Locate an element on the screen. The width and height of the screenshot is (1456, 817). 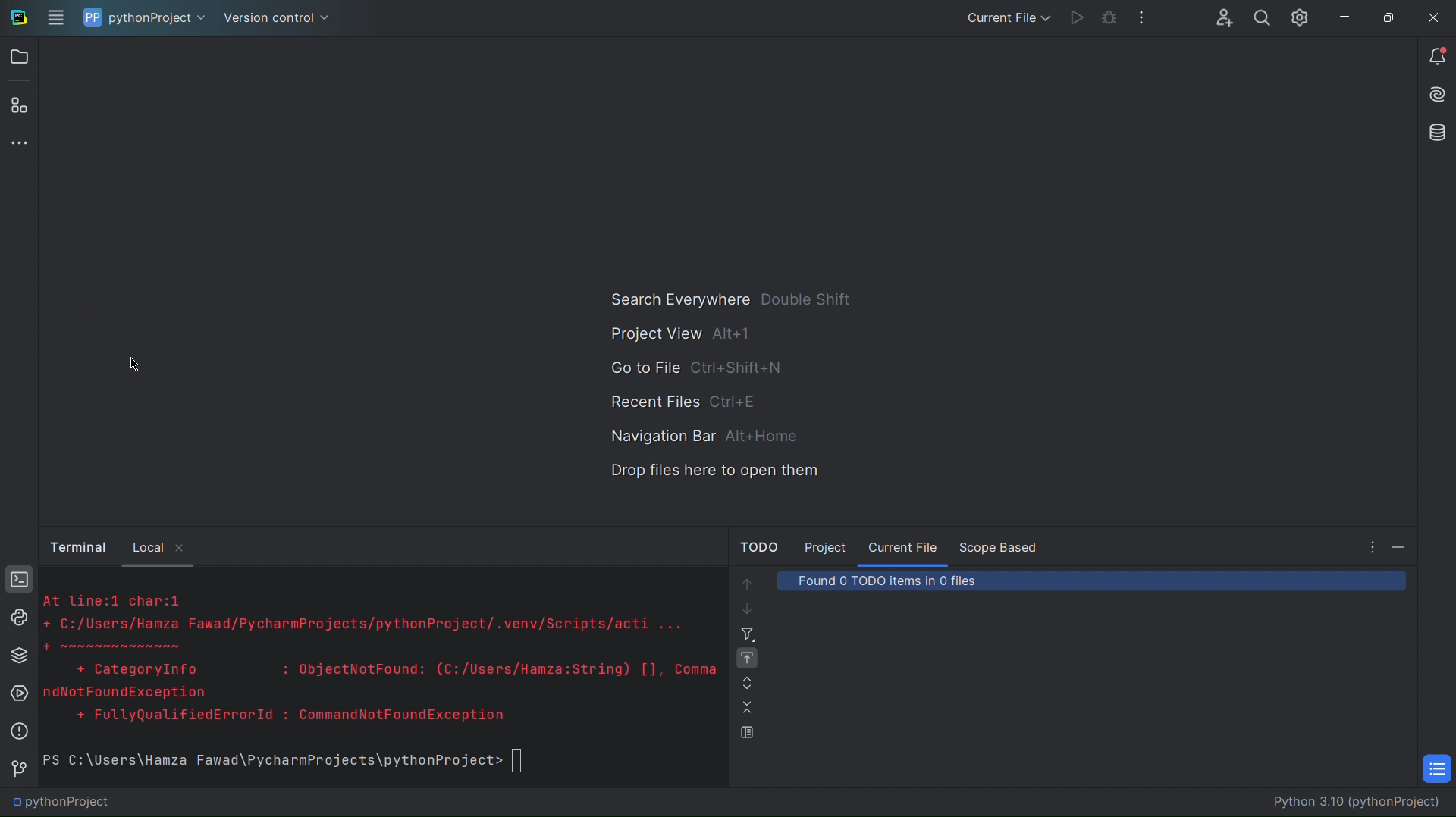
View is located at coordinates (744, 734).